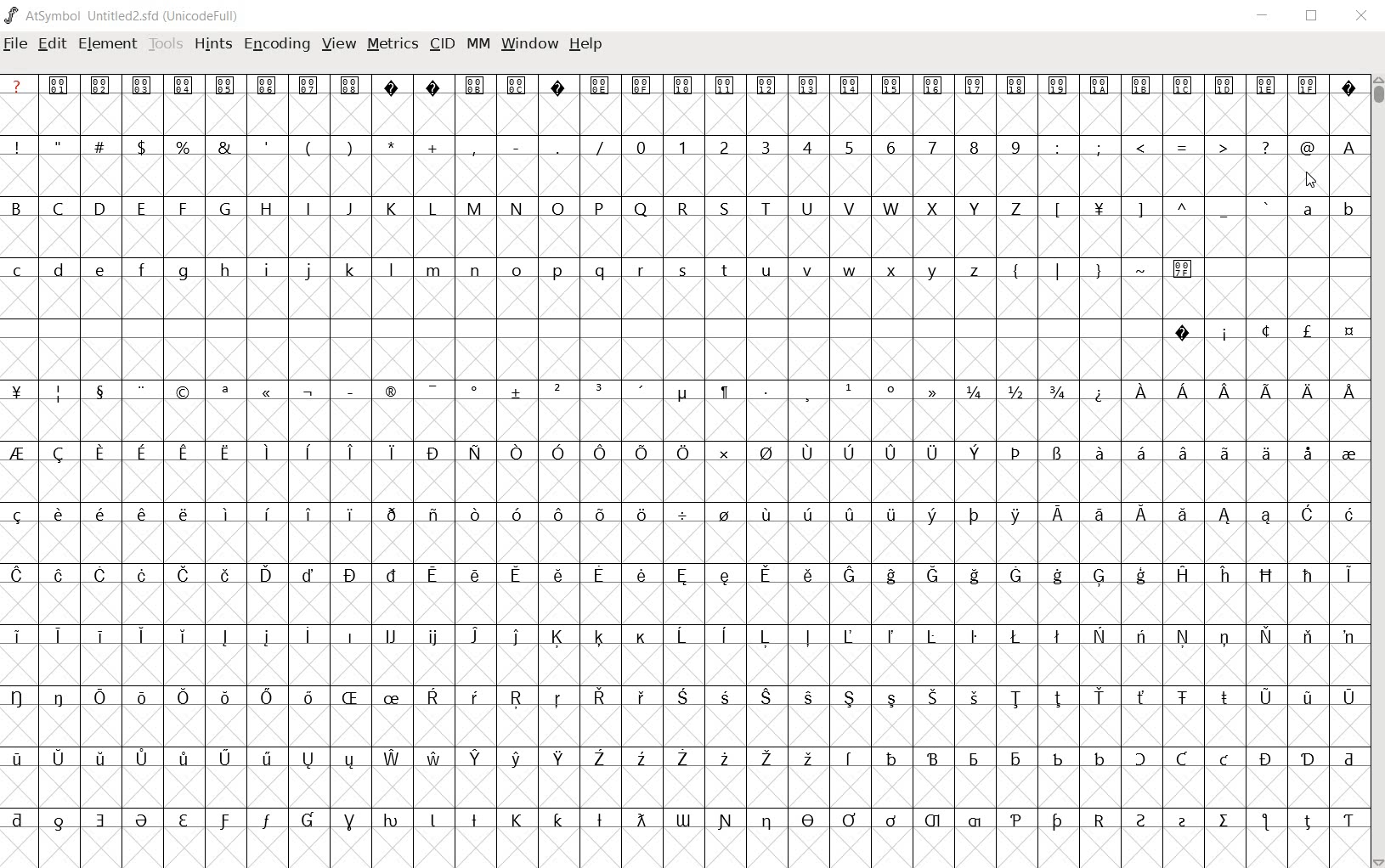 This screenshot has width=1385, height=868. Describe the element at coordinates (392, 44) in the screenshot. I see `METRICS` at that location.